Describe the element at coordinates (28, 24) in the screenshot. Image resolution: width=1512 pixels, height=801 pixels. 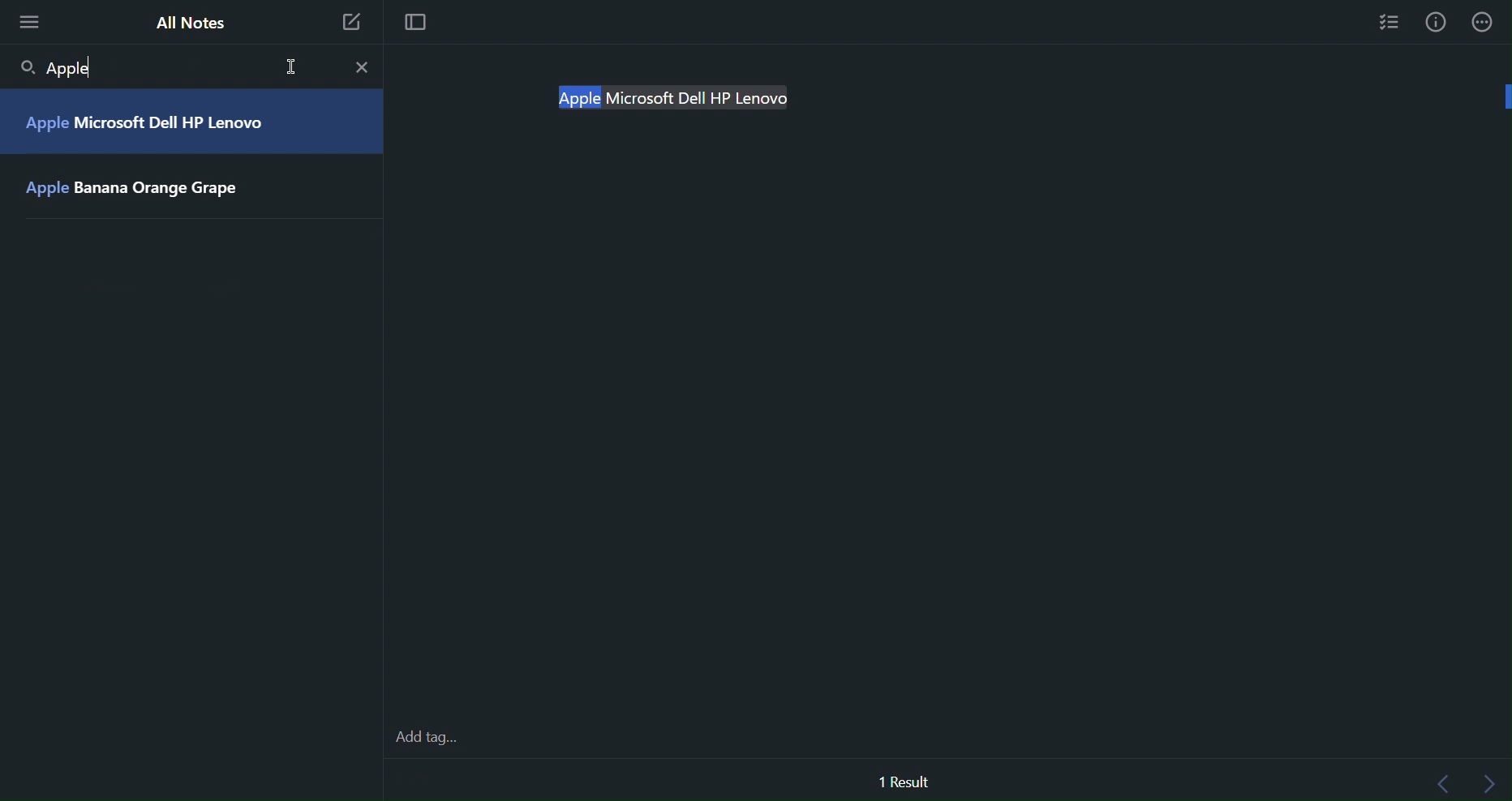
I see `More` at that location.